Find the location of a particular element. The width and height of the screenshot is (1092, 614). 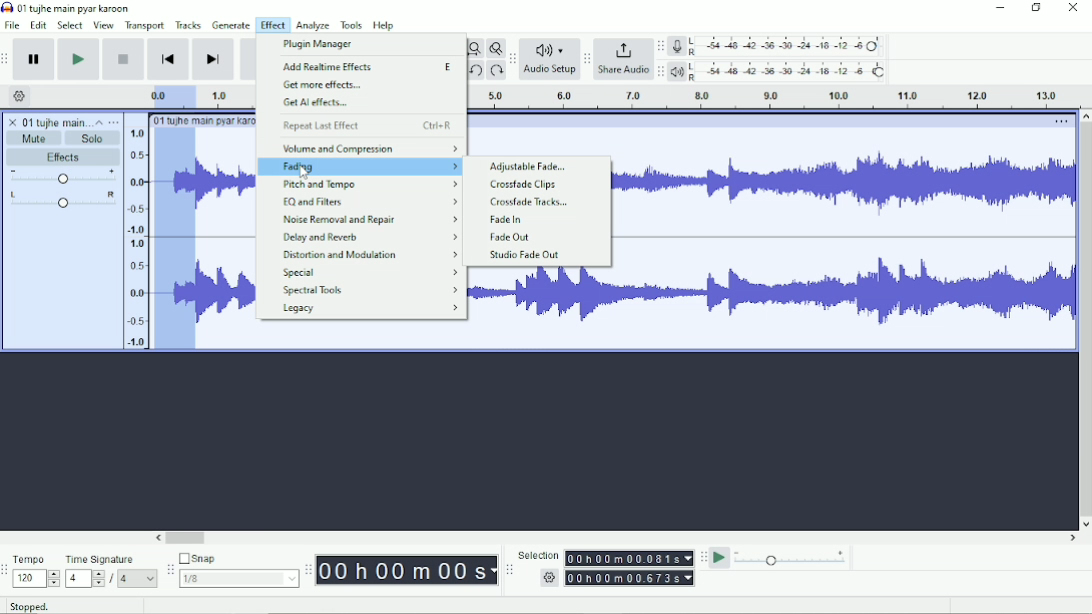

Minimize is located at coordinates (1001, 8).